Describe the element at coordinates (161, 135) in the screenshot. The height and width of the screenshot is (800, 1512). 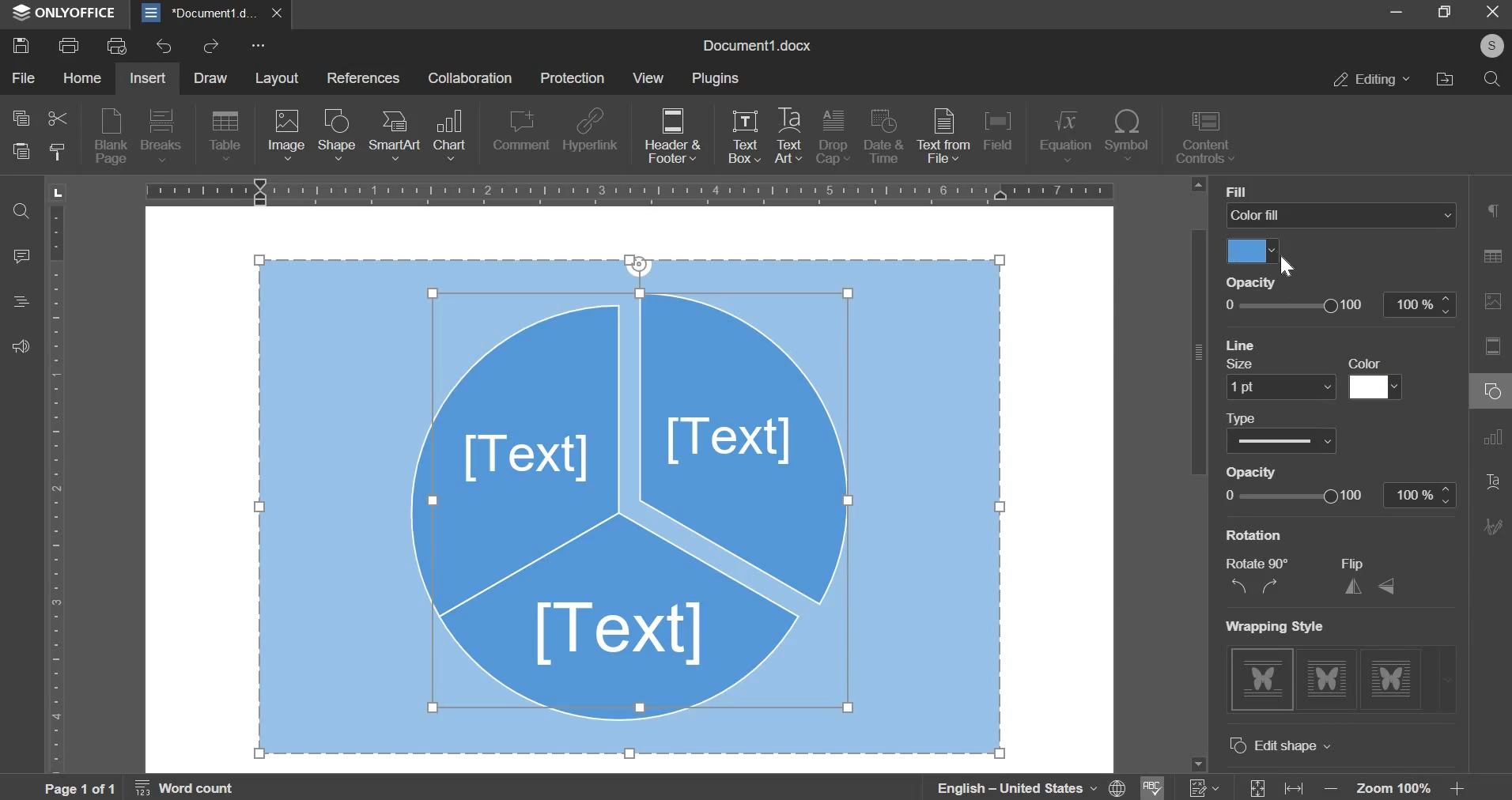
I see `breaks` at that location.